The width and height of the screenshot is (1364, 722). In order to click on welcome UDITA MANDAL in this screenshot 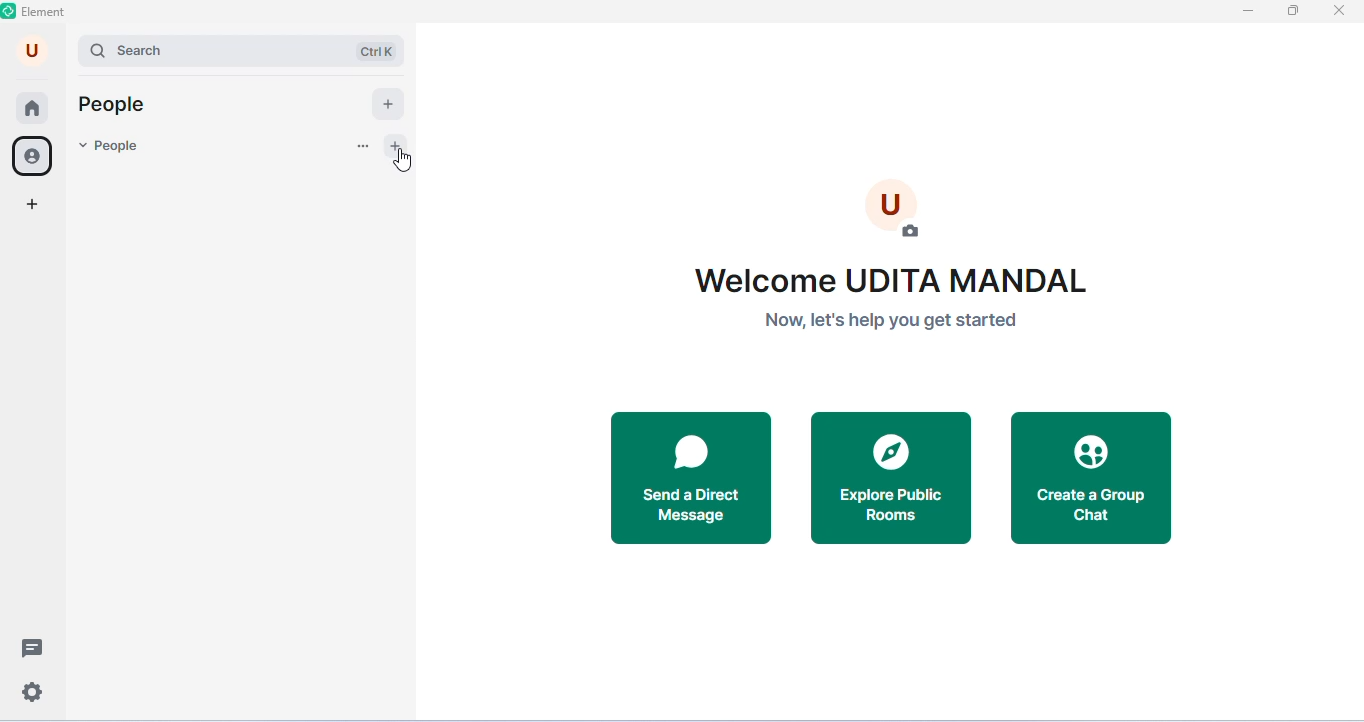, I will do `click(895, 280)`.